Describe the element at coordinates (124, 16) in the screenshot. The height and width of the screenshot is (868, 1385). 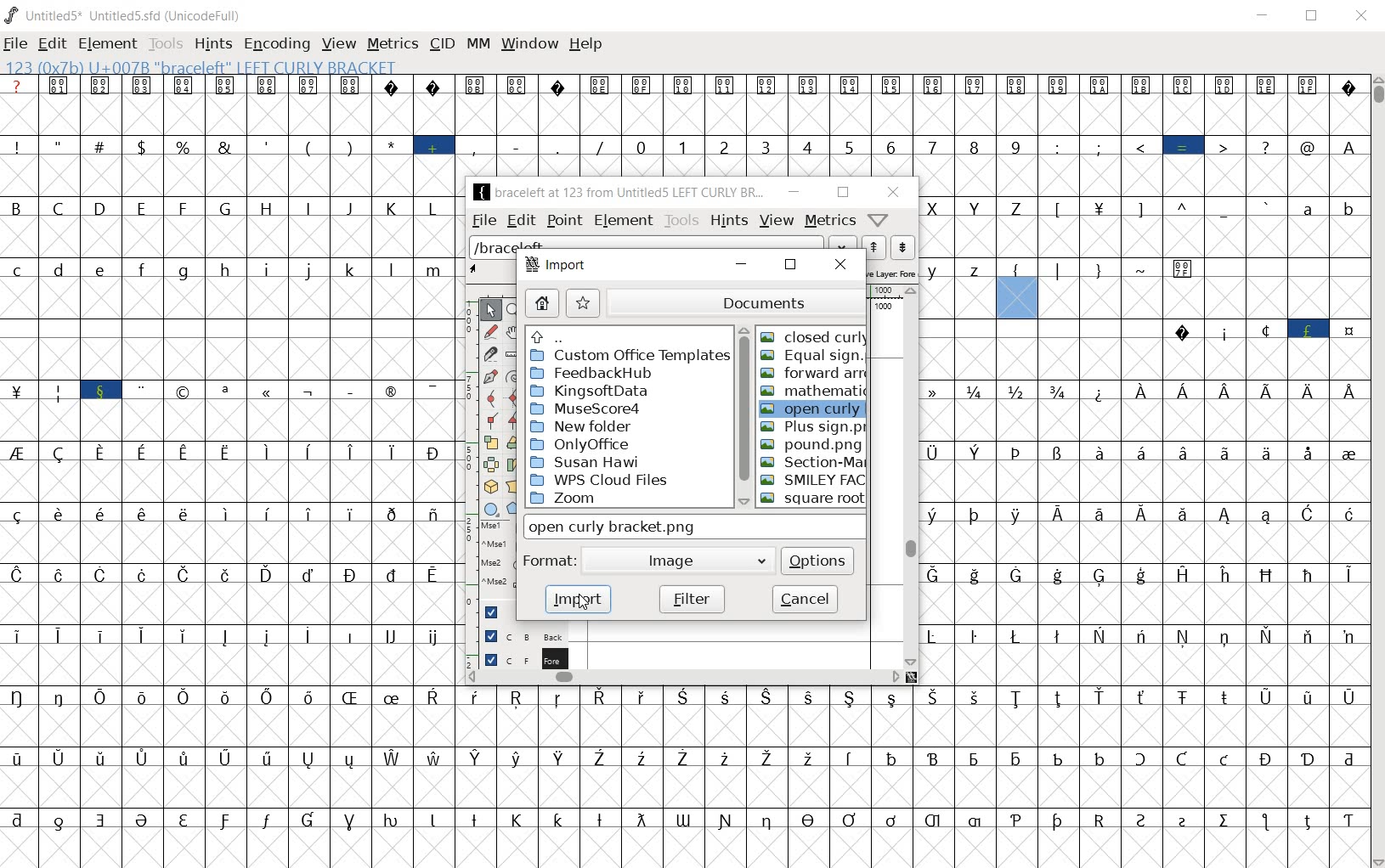
I see `UNTITLED5* uNTITLED5.SFD (UnicodeFull)` at that location.